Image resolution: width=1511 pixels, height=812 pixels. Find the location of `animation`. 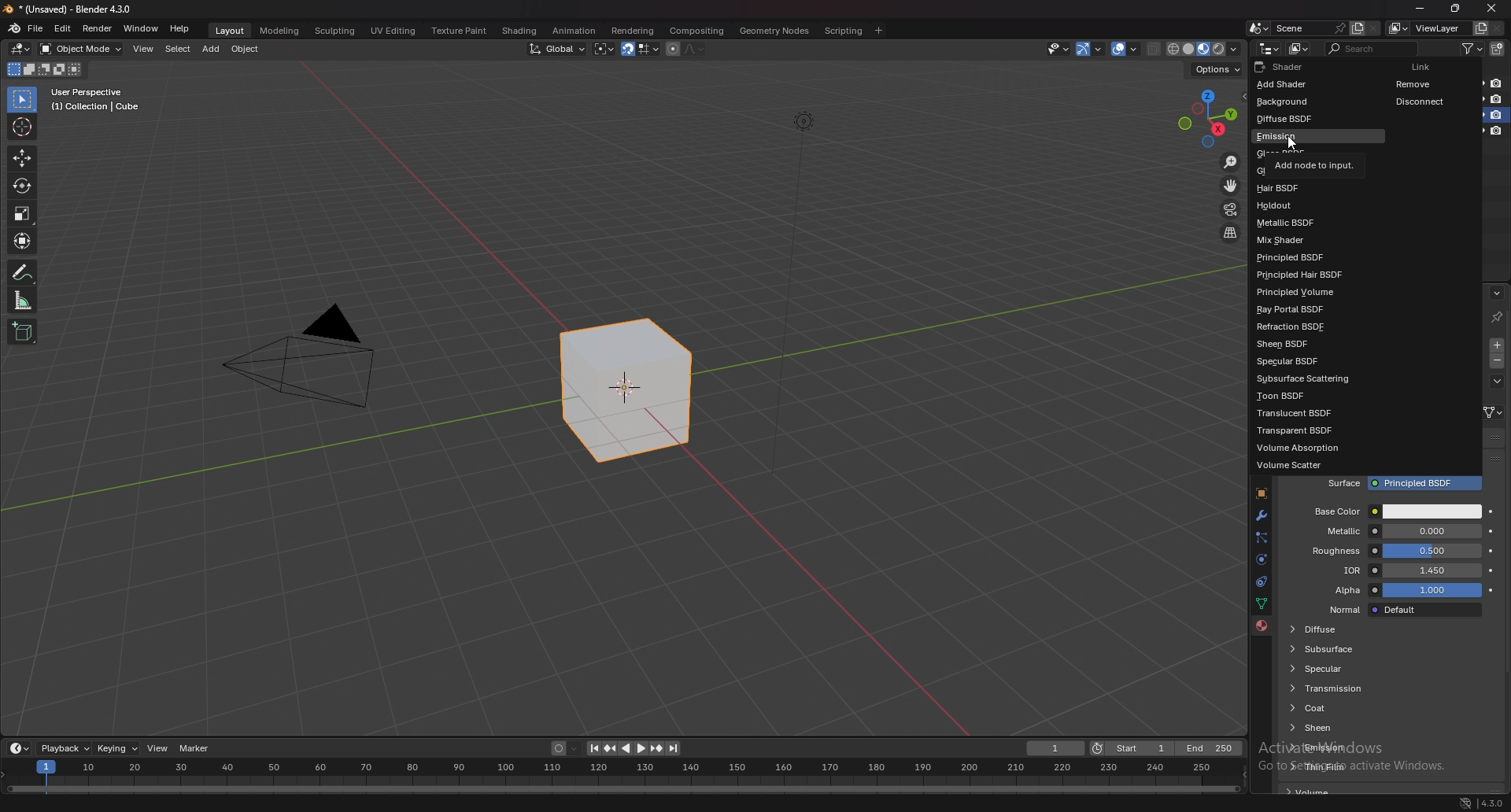

animation is located at coordinates (573, 31).